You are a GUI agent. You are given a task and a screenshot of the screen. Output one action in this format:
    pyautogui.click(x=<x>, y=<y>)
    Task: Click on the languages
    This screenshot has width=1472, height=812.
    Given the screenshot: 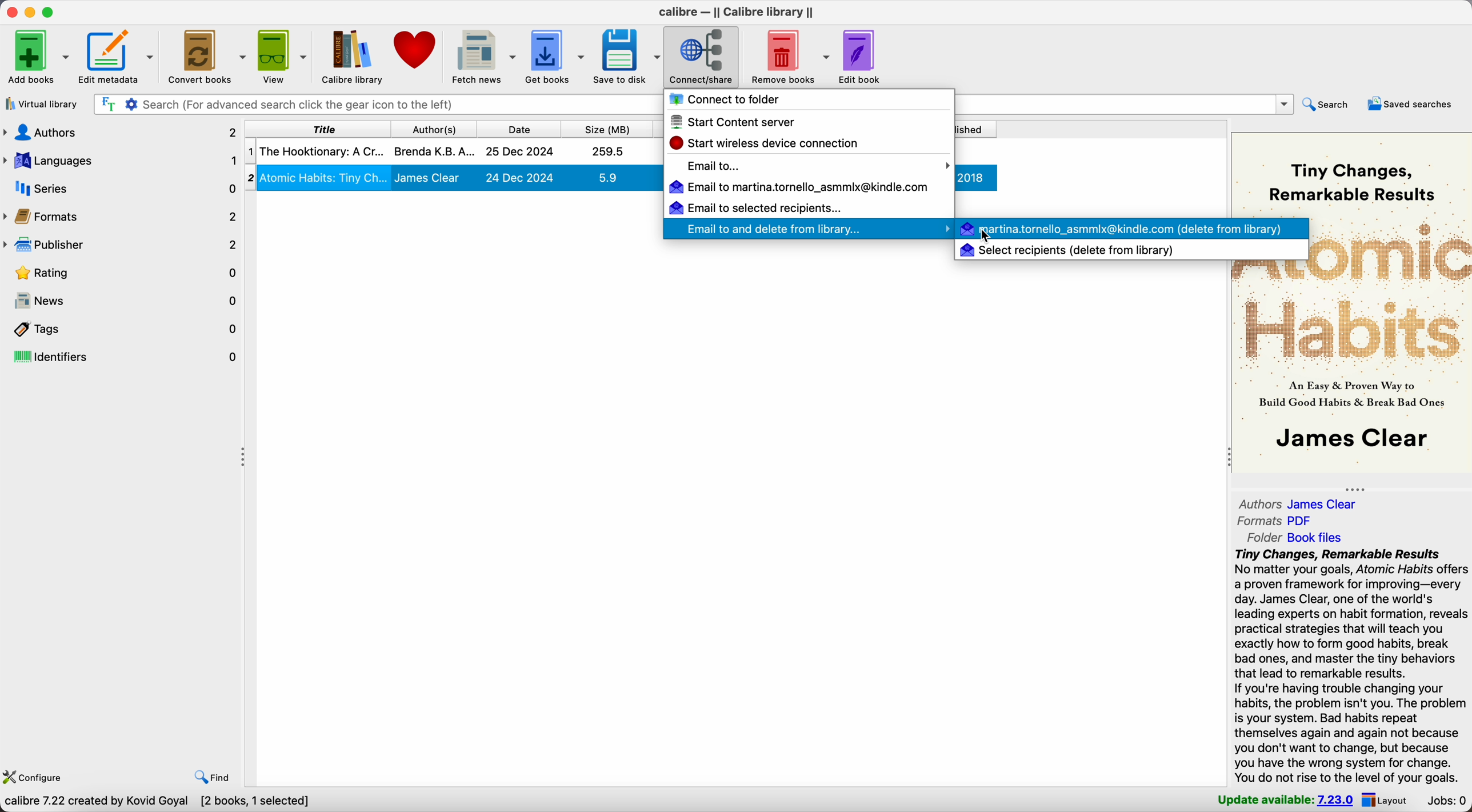 What is the action you would take?
    pyautogui.click(x=121, y=162)
    